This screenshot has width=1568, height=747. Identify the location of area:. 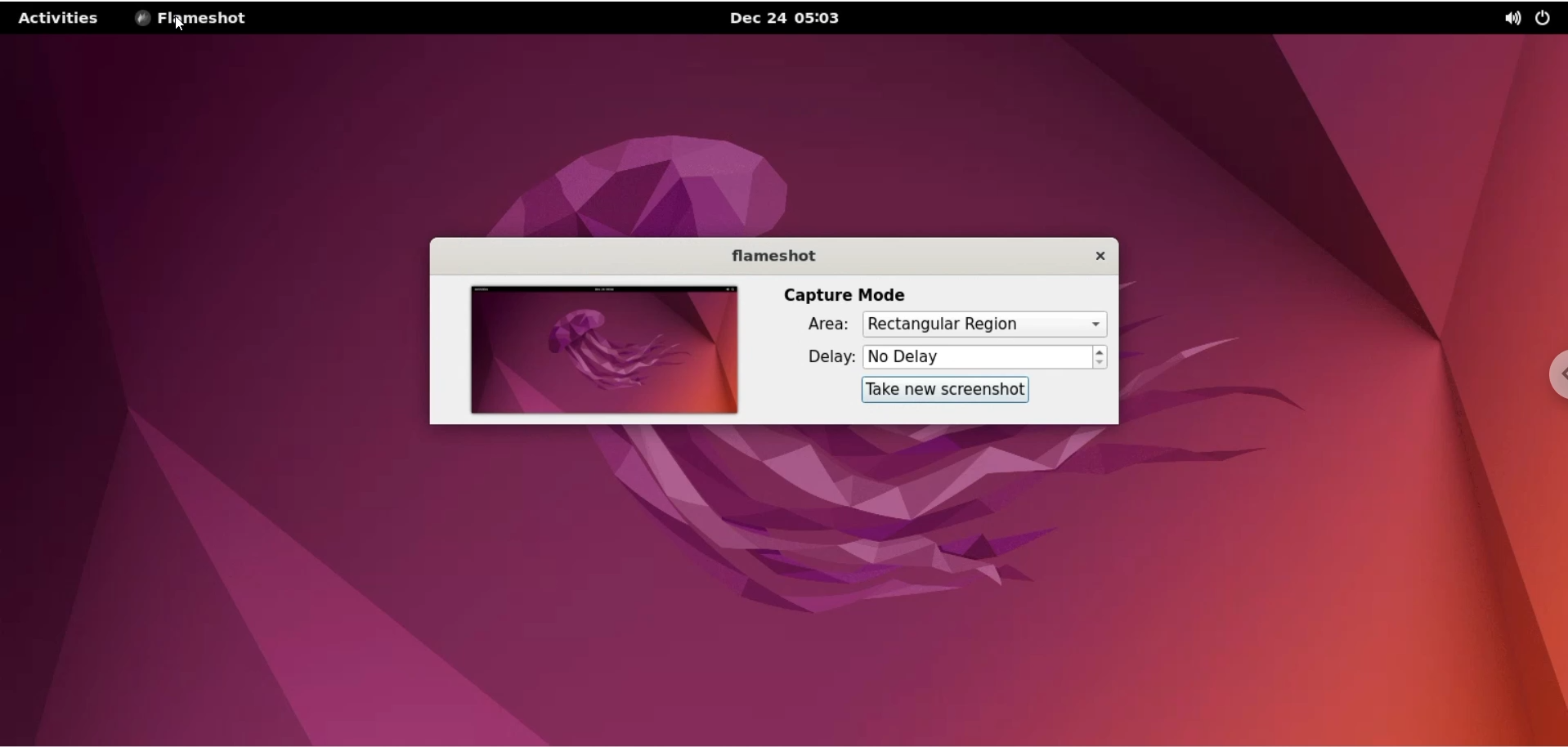
(821, 324).